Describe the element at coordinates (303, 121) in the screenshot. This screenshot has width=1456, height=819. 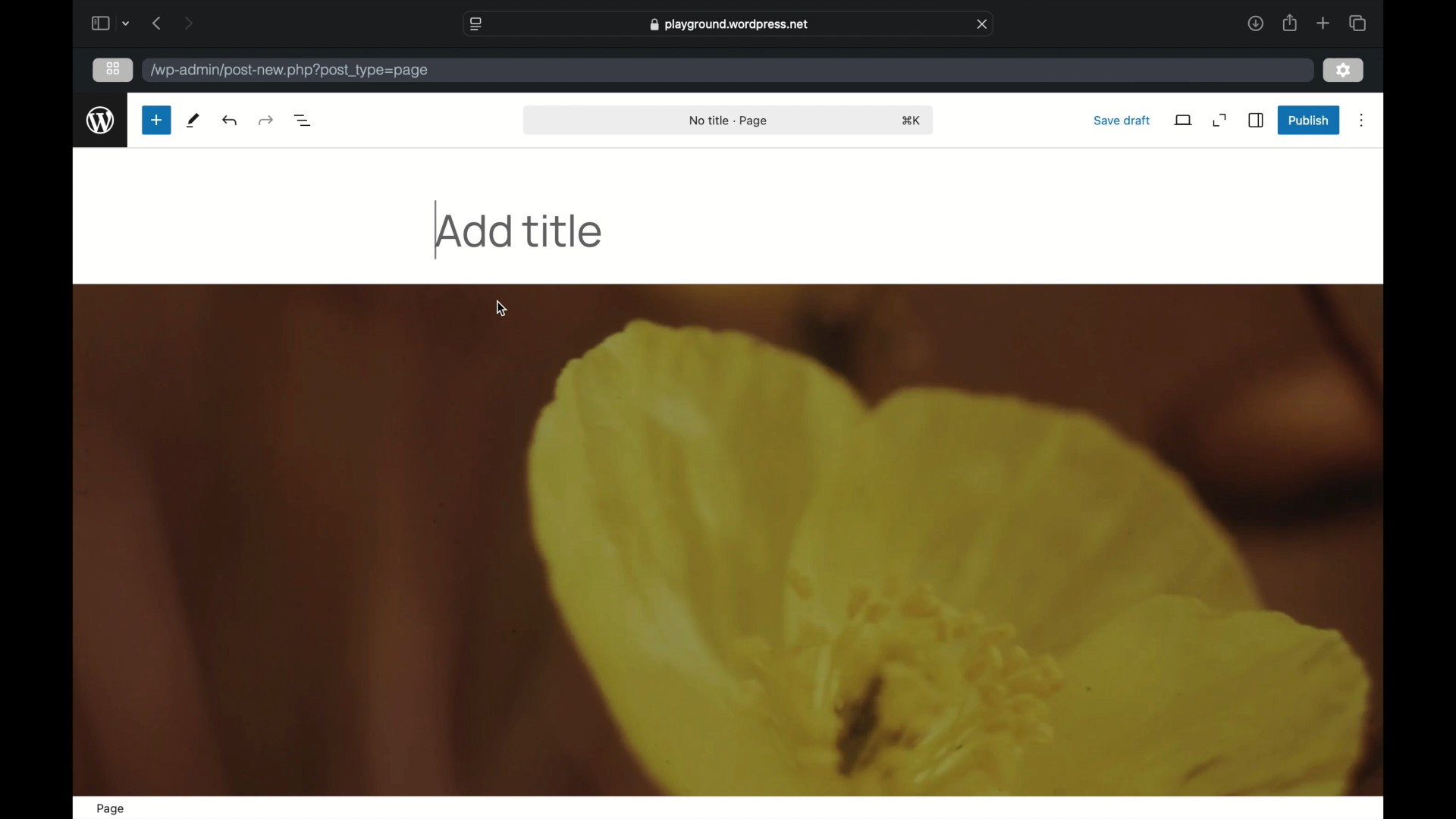
I see `document overview` at that location.